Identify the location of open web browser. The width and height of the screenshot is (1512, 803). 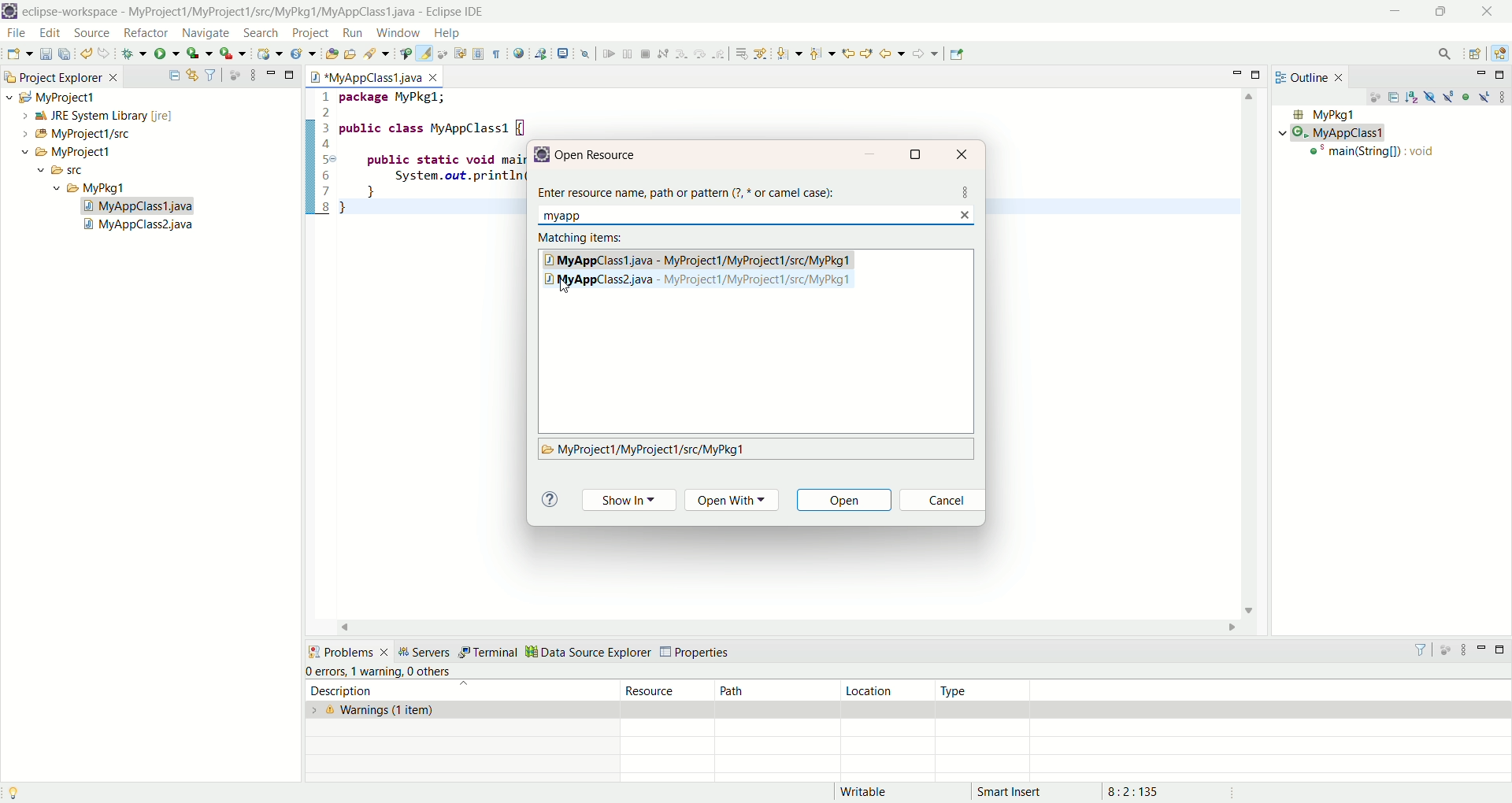
(518, 54).